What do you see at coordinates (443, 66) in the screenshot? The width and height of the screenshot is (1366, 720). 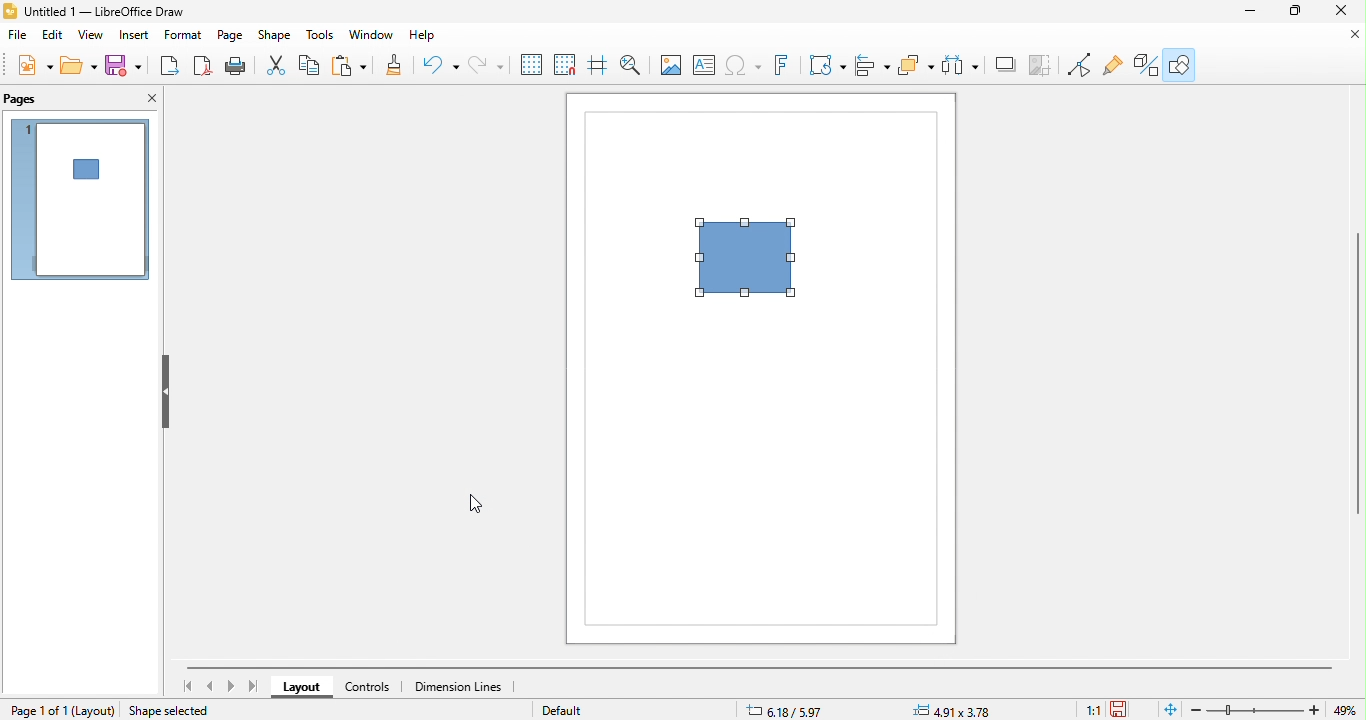 I see `undo` at bounding box center [443, 66].